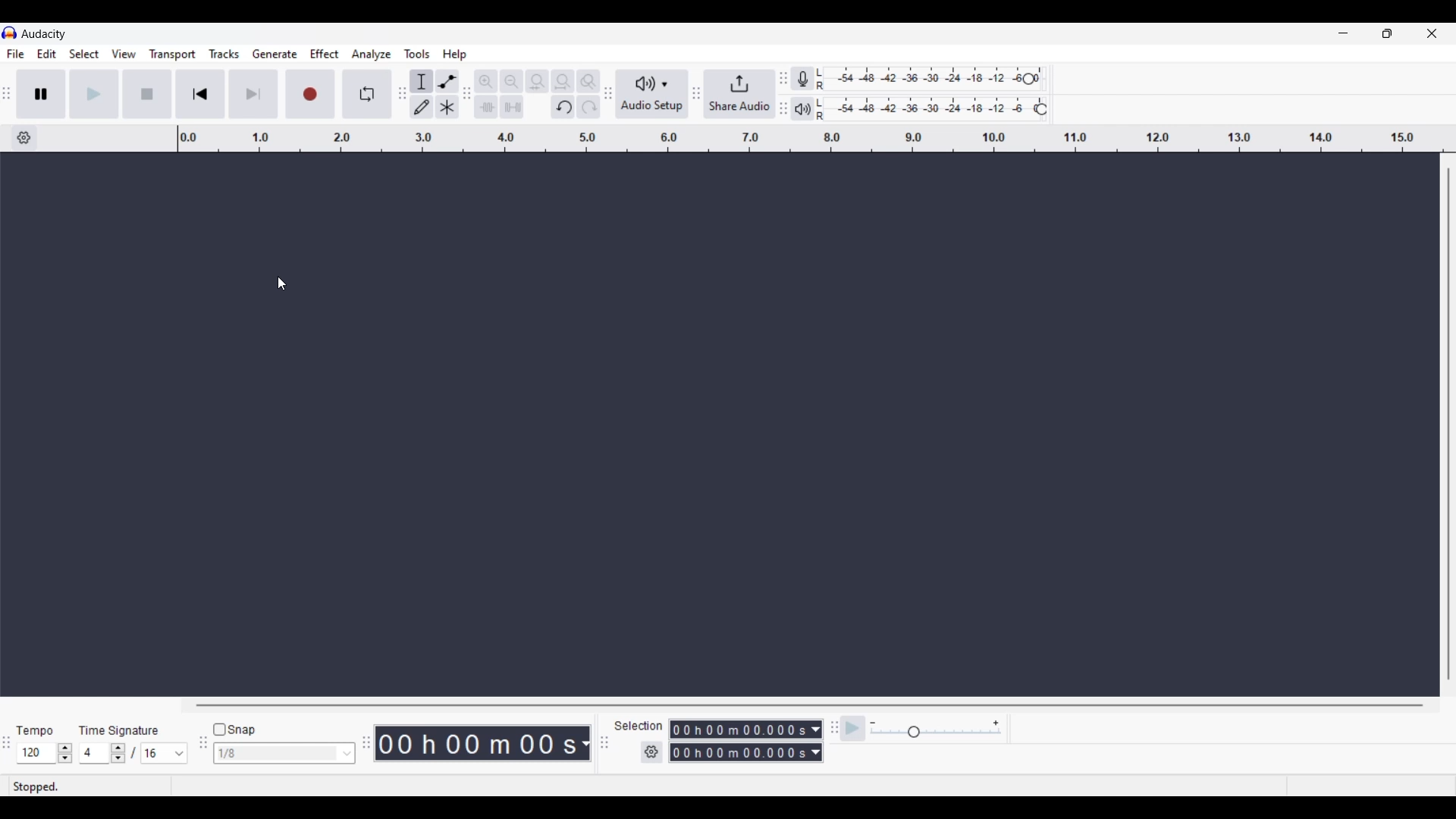 Image resolution: width=1456 pixels, height=819 pixels. I want to click on Play-at-speed/Play-at-speed oncce, so click(853, 729).